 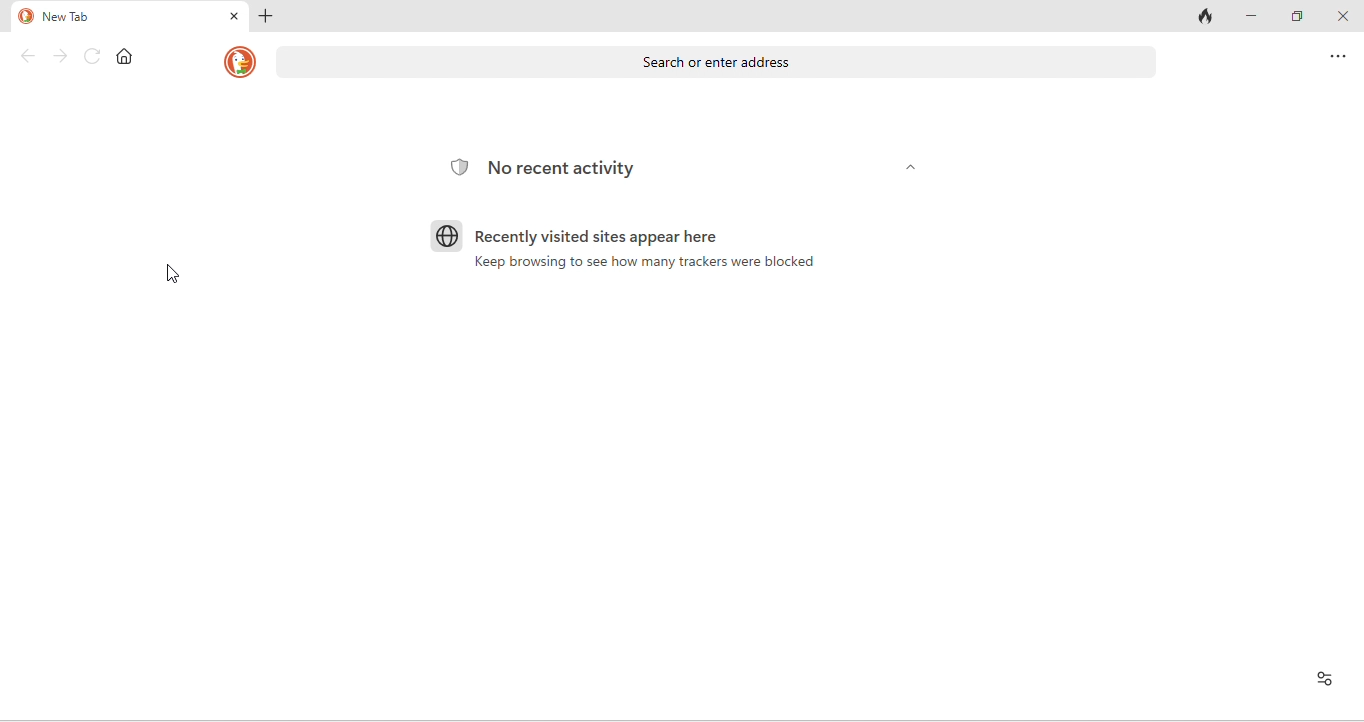 What do you see at coordinates (1298, 17) in the screenshot?
I see `maximize` at bounding box center [1298, 17].